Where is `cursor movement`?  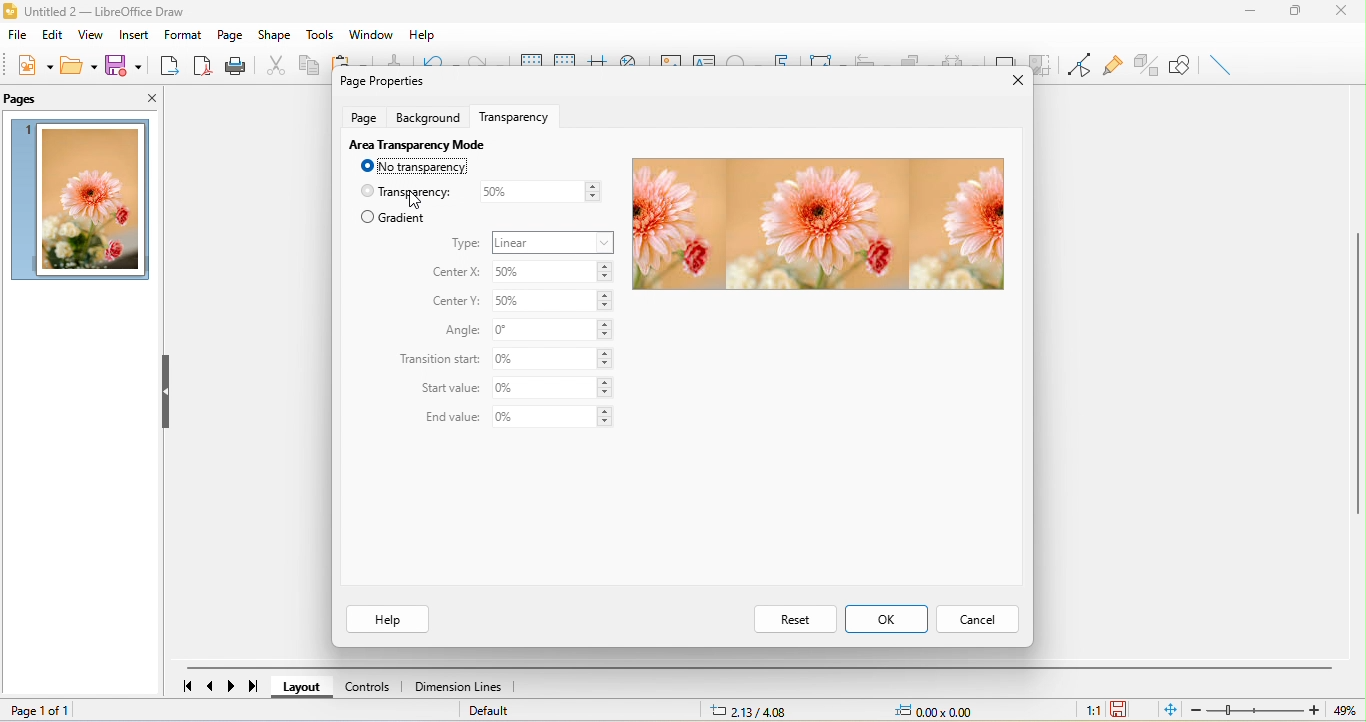 cursor movement is located at coordinates (415, 202).